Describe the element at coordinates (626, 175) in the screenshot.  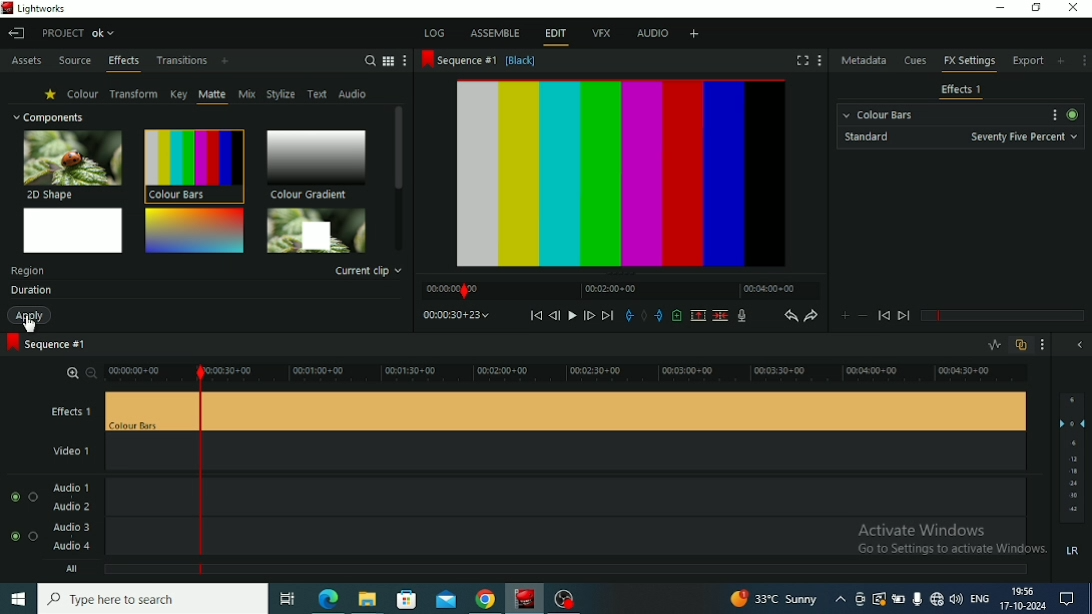
I see `Effect applied` at that location.